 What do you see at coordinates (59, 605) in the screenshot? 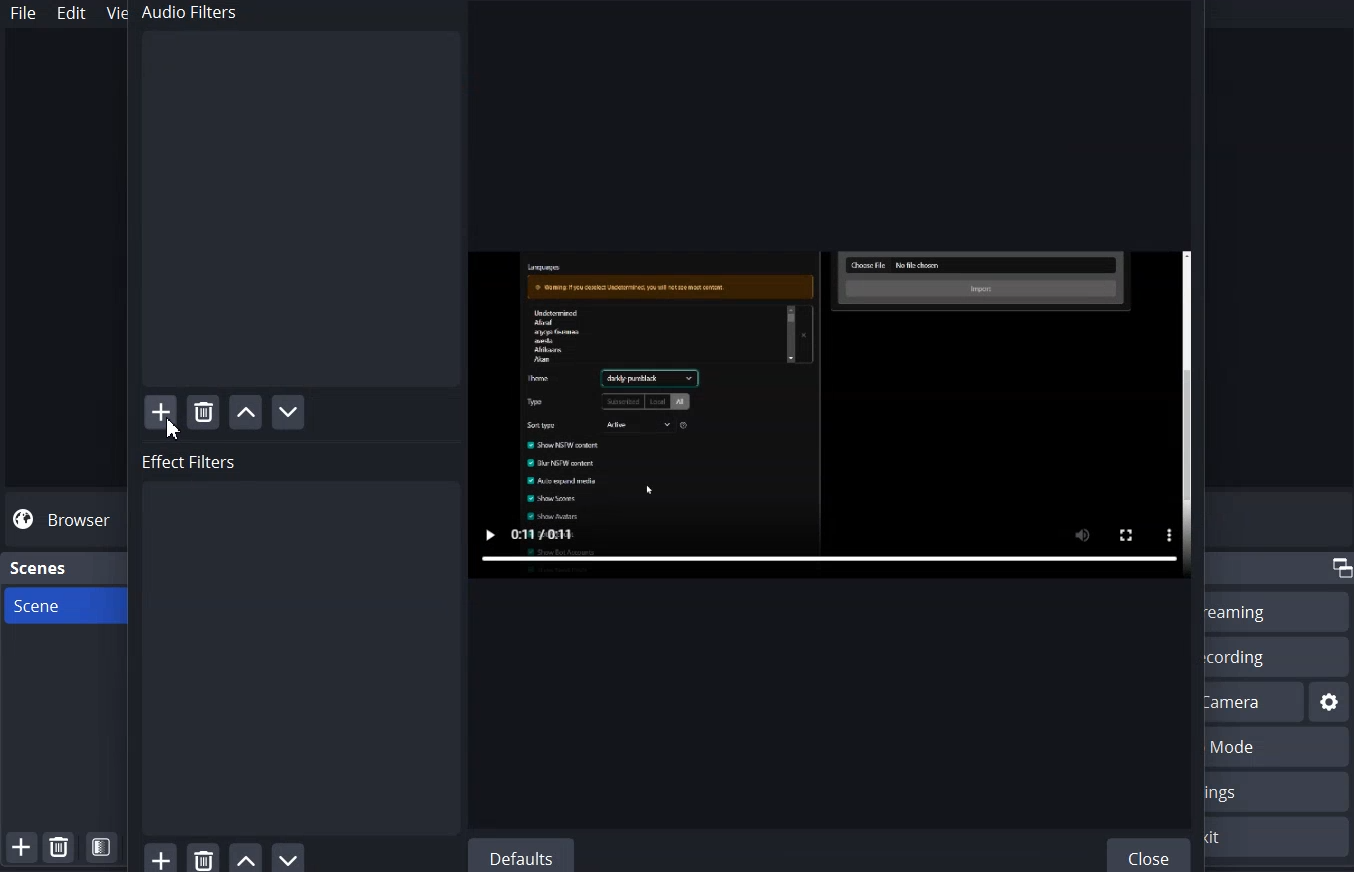
I see `Scene` at bounding box center [59, 605].